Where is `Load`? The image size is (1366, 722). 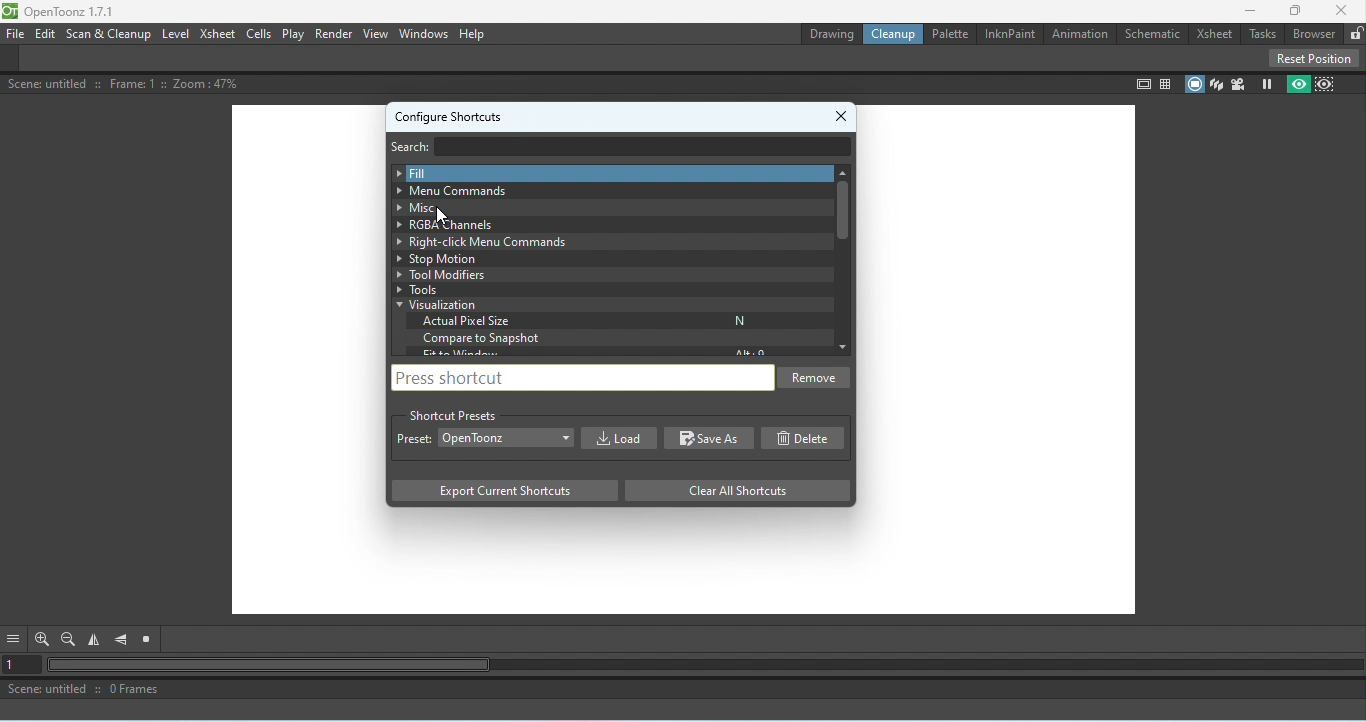
Load is located at coordinates (616, 438).